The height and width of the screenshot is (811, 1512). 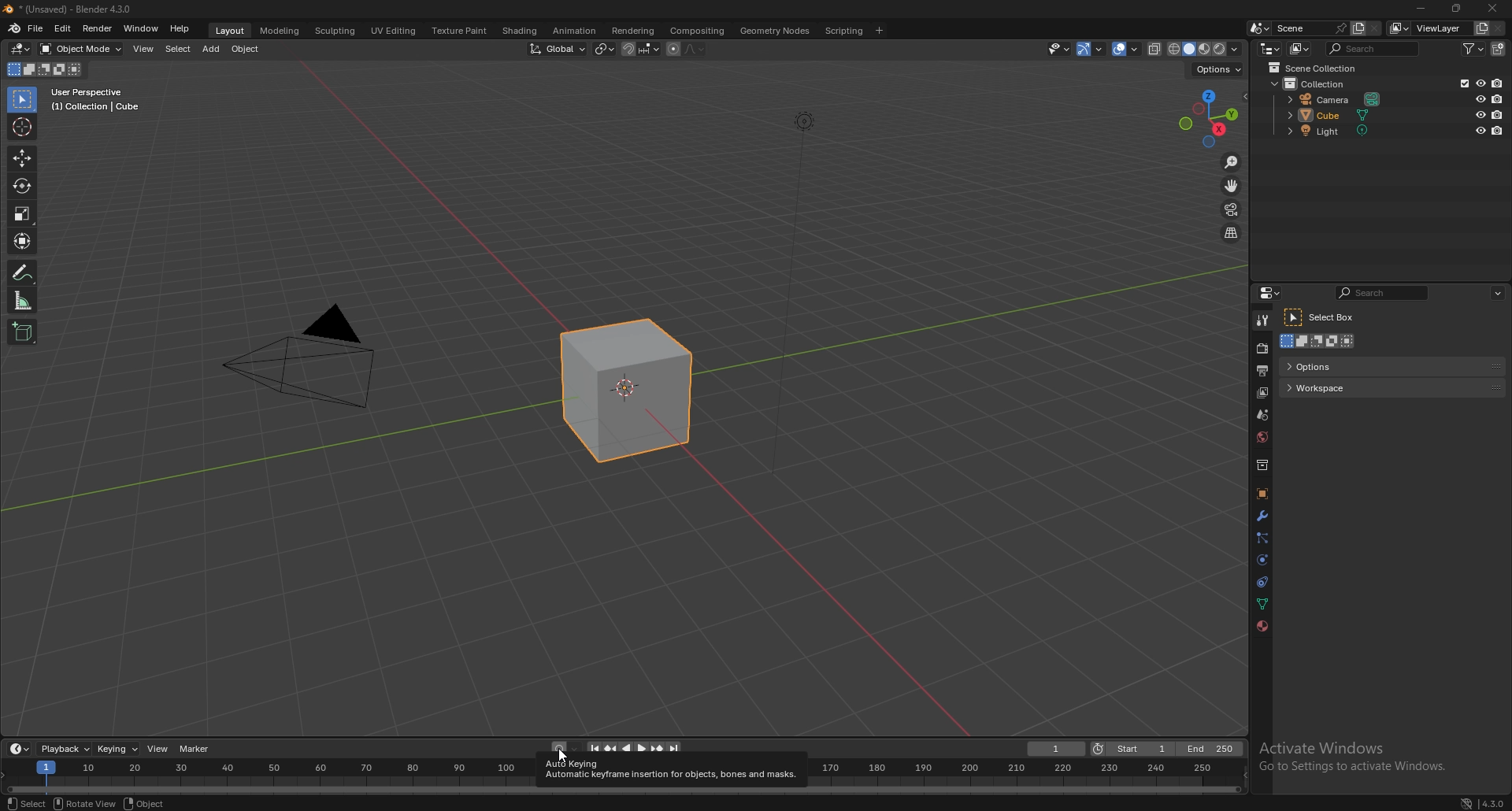 What do you see at coordinates (1263, 581) in the screenshot?
I see `constraints` at bounding box center [1263, 581].